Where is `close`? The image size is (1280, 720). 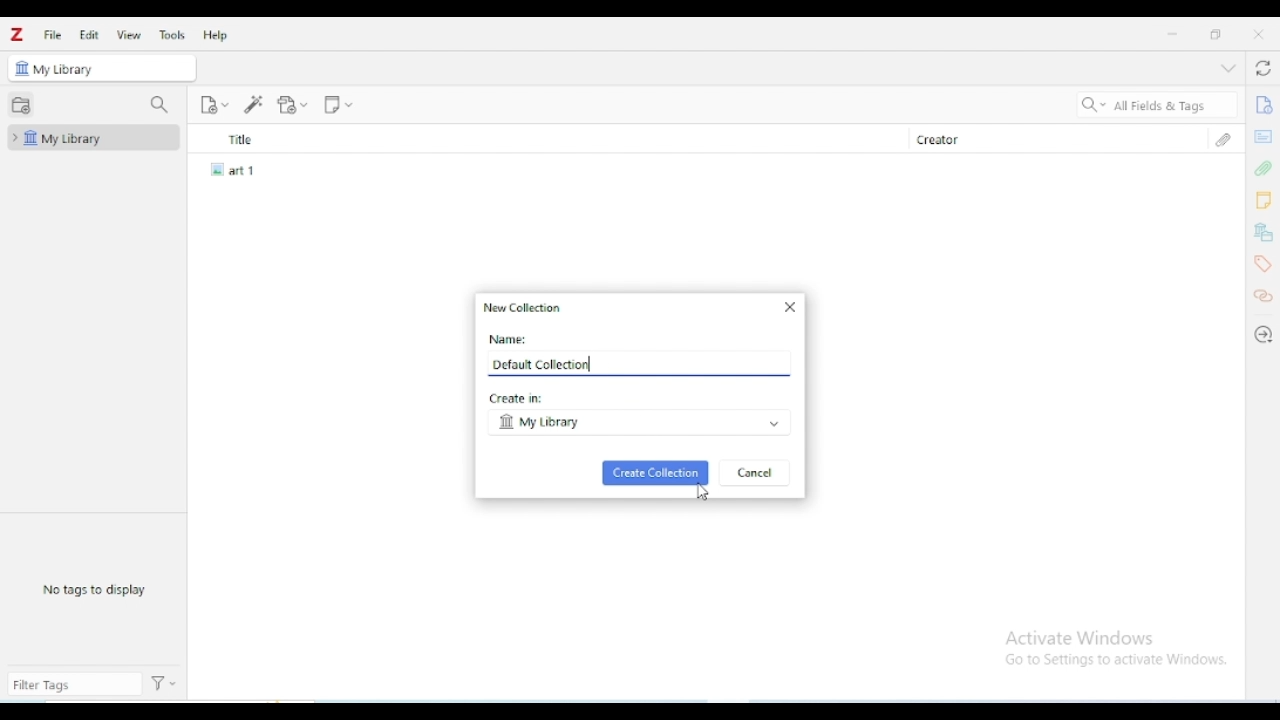 close is located at coordinates (1258, 34).